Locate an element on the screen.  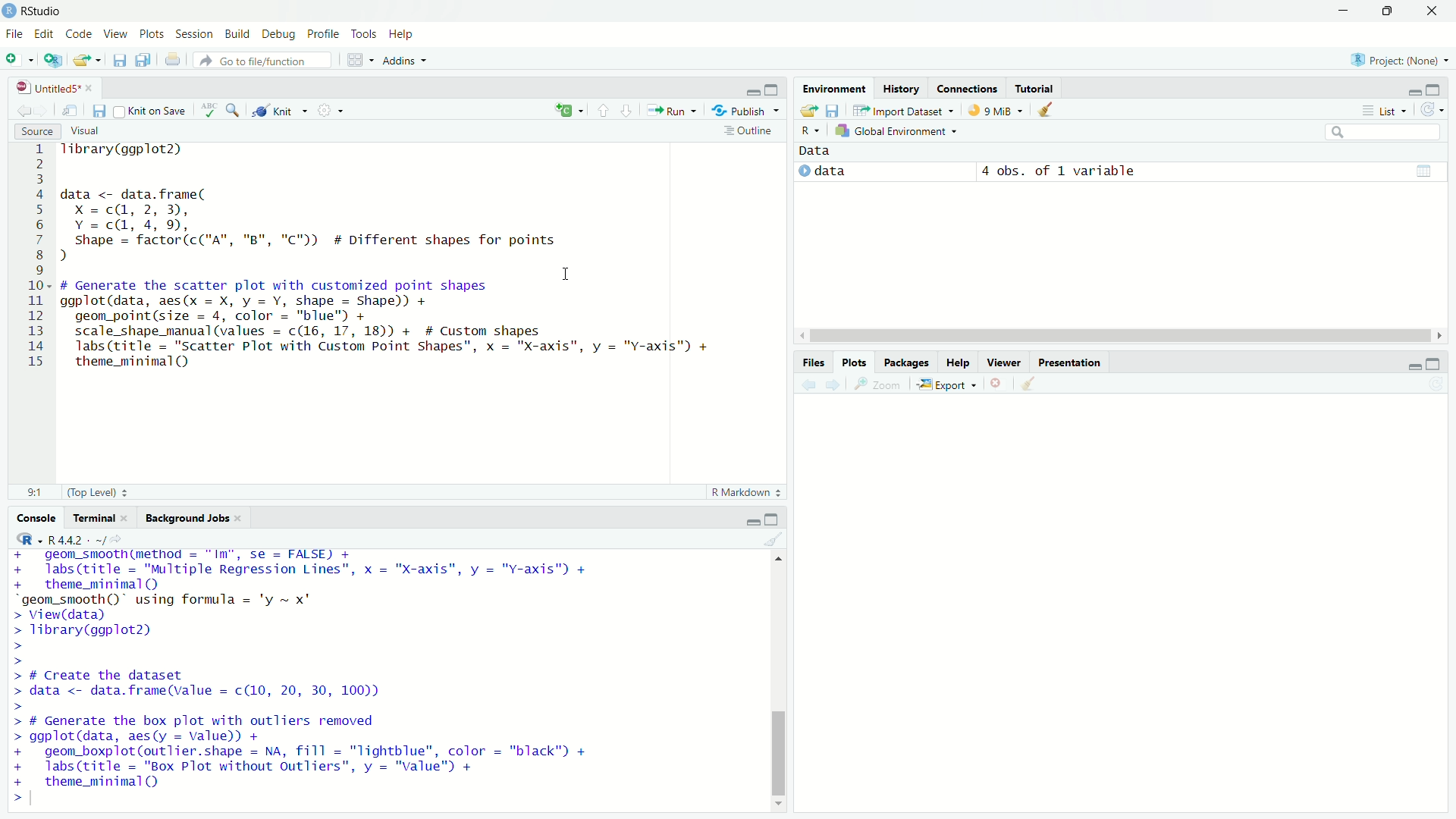
Console is located at coordinates (36, 518).